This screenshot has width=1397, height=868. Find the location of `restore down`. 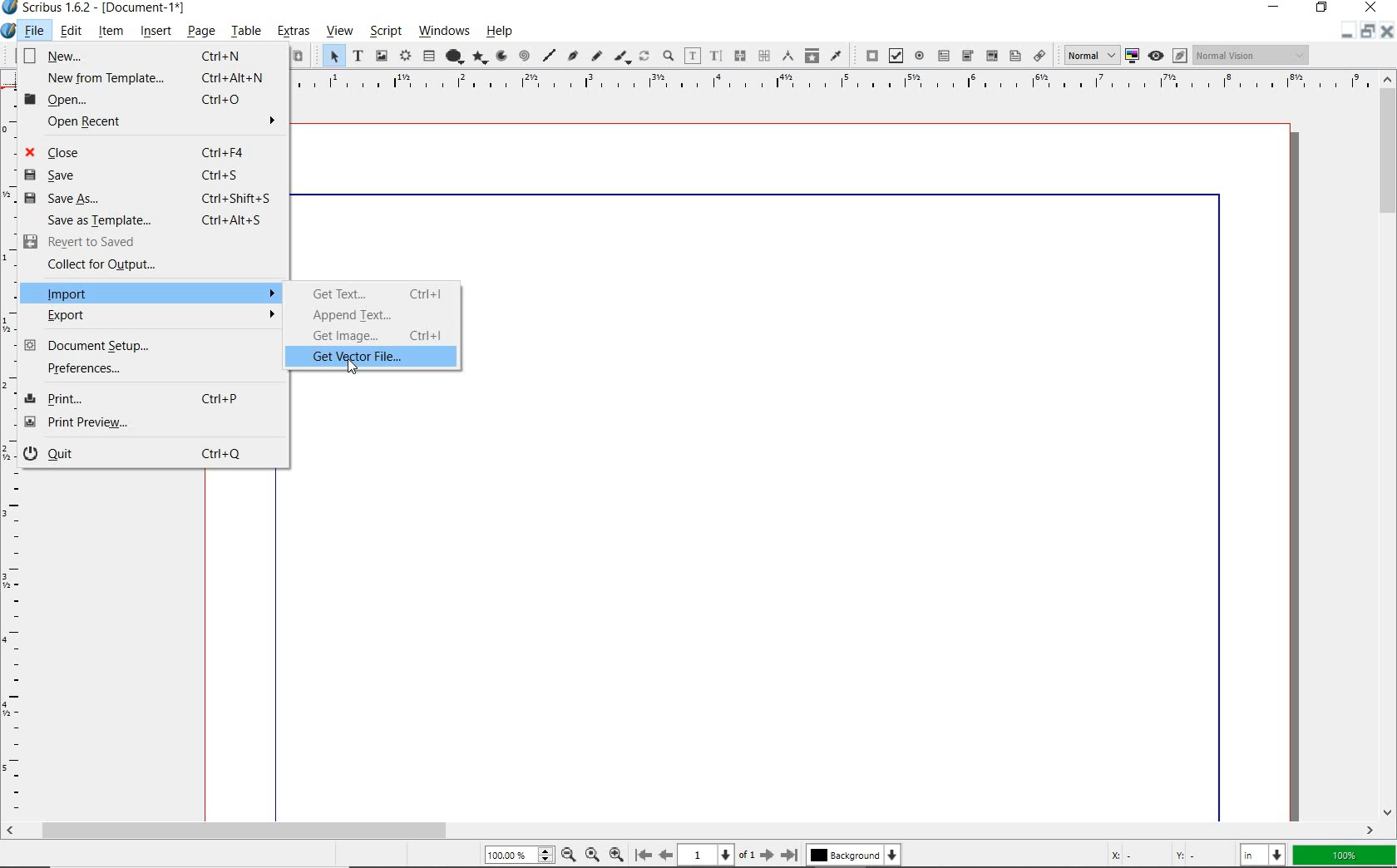

restore down is located at coordinates (1348, 30).